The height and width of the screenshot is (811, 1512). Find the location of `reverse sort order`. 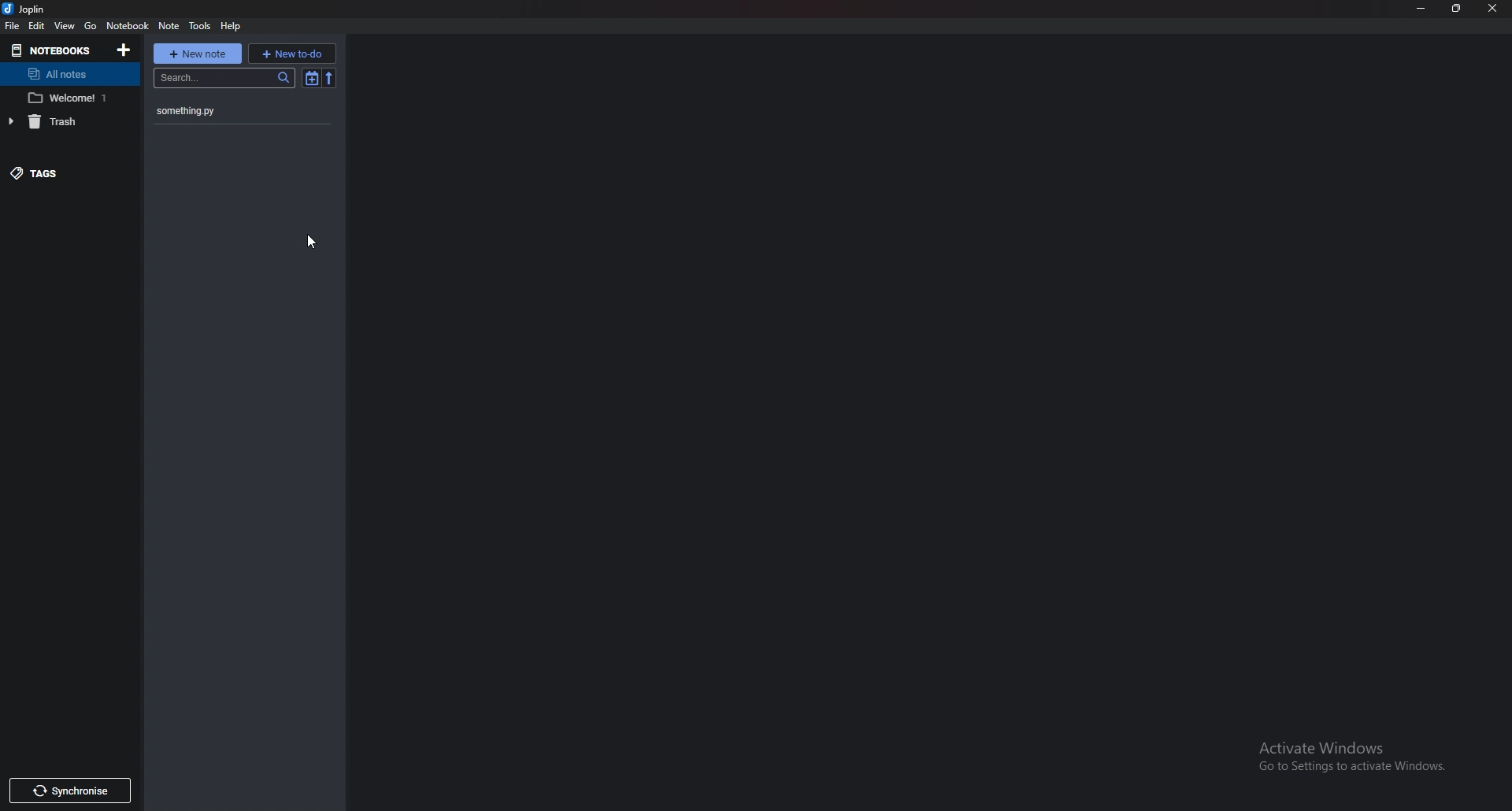

reverse sort order is located at coordinates (329, 78).